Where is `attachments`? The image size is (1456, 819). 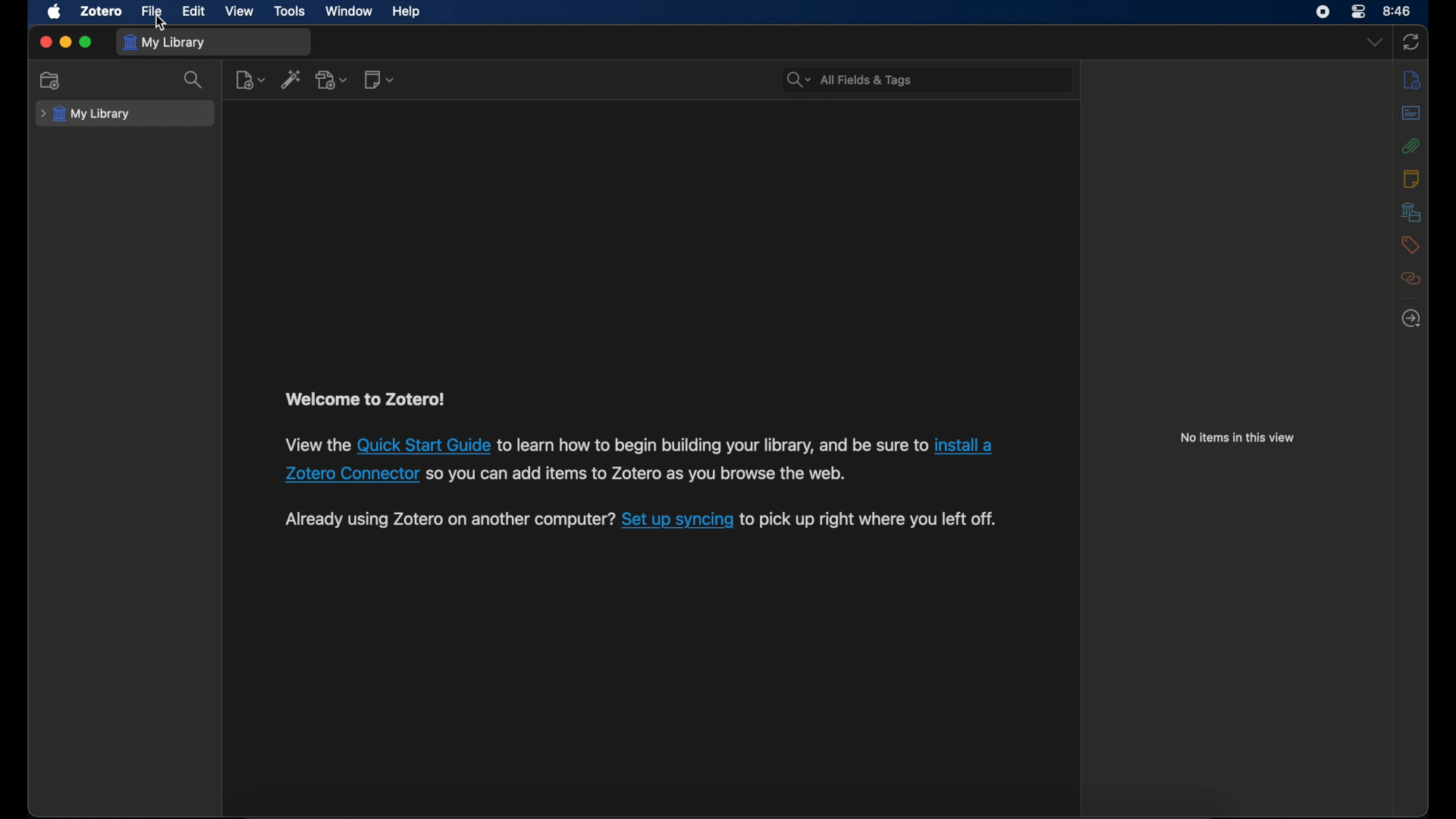 attachments is located at coordinates (1411, 146).